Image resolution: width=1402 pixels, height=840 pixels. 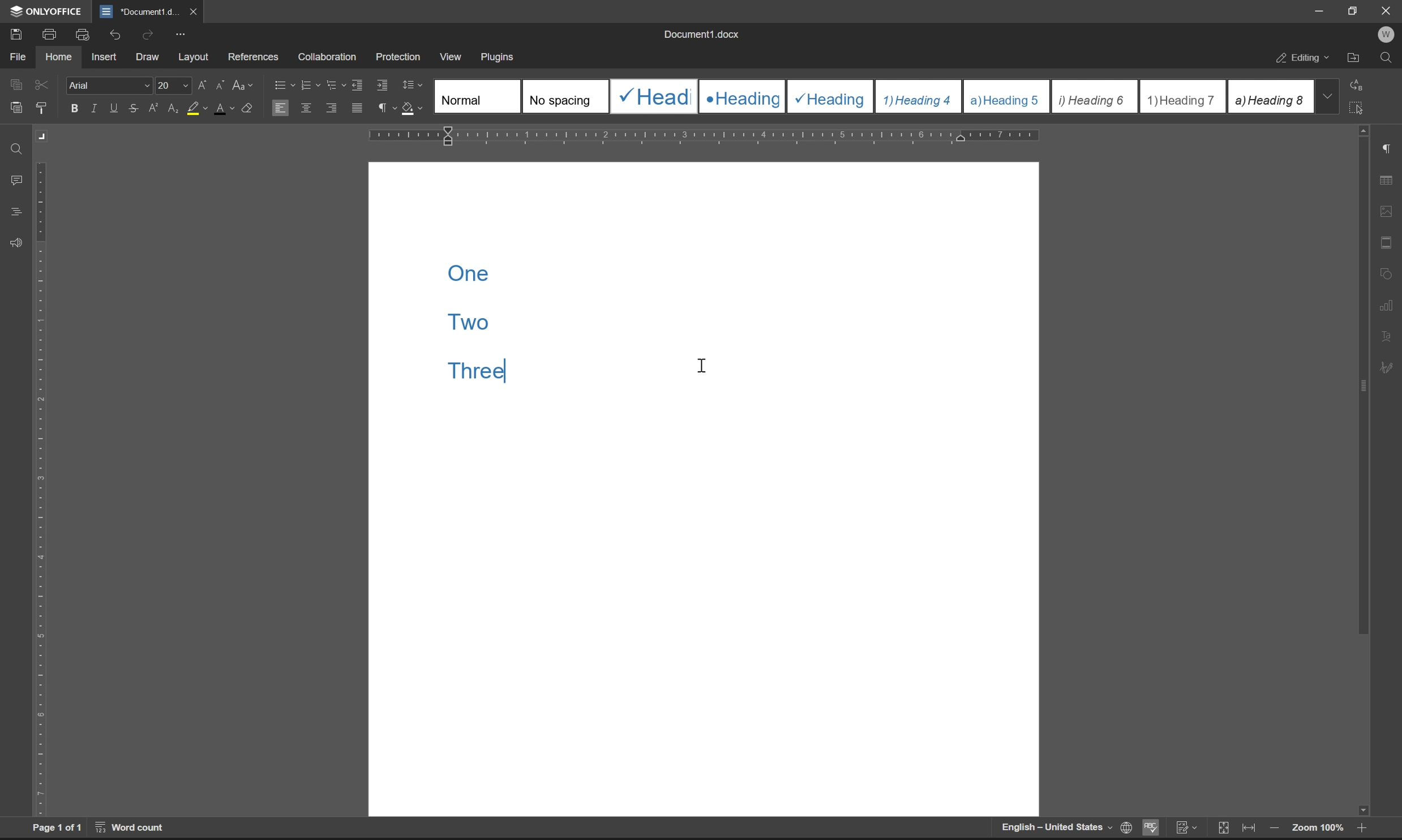 What do you see at coordinates (171, 84) in the screenshot?
I see `font size` at bounding box center [171, 84].